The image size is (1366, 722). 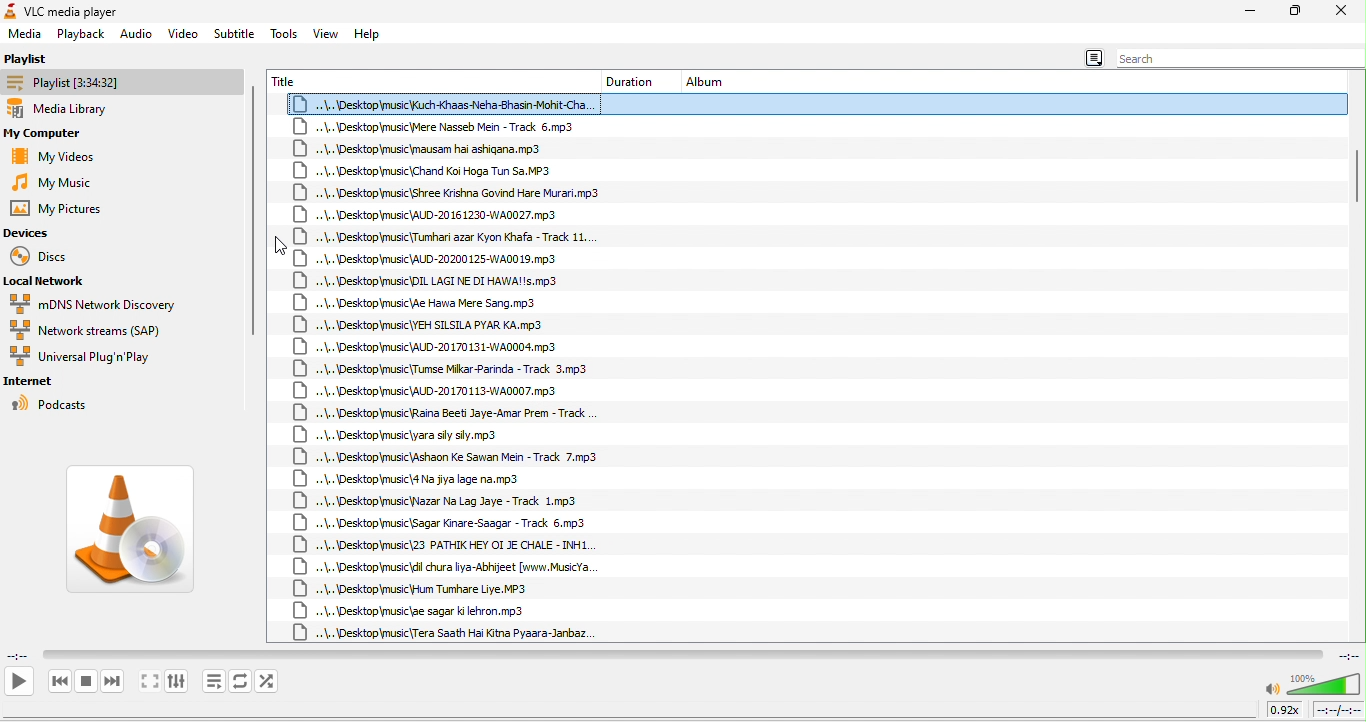 What do you see at coordinates (445, 632) in the screenshot?
I see `..\..\Desktop\music {Tera Saath Hai Kitna Pyaara-Janbaz.` at bounding box center [445, 632].